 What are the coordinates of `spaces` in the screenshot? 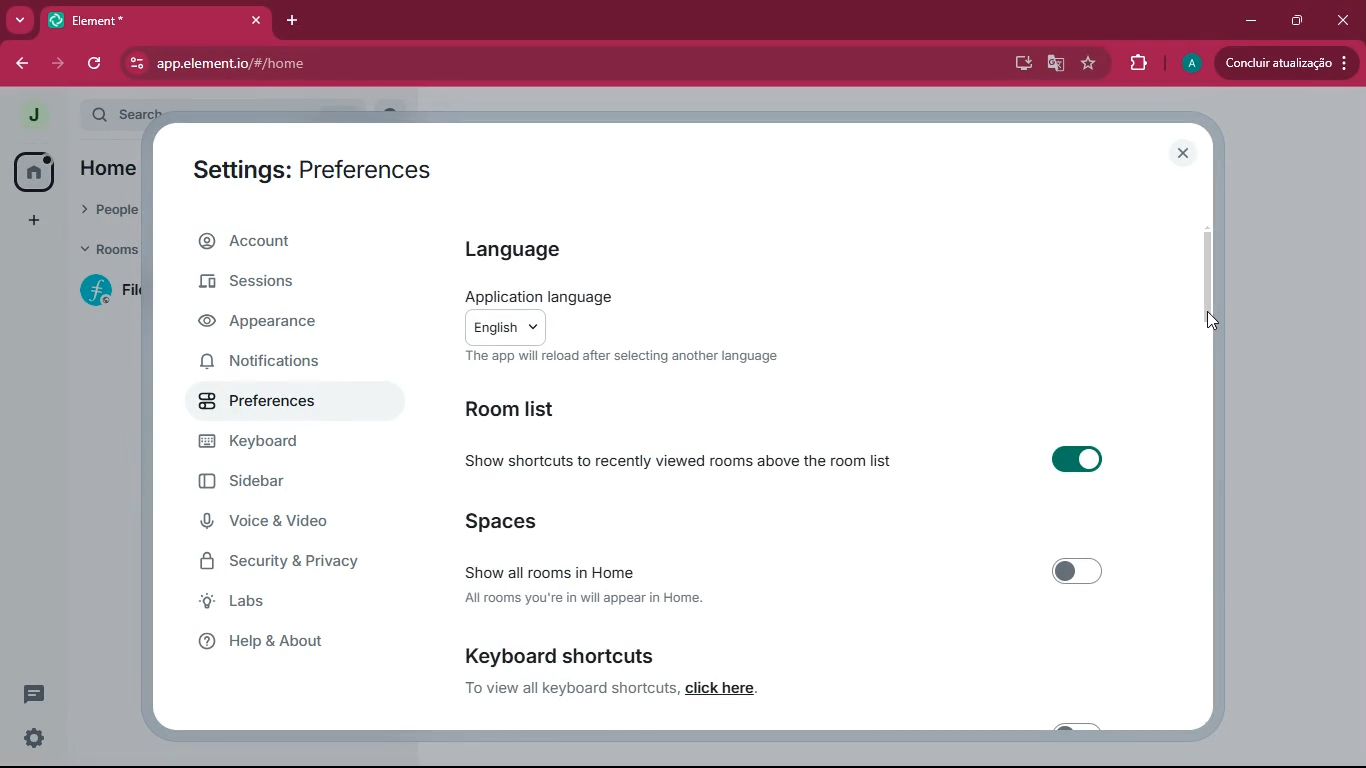 It's located at (517, 521).